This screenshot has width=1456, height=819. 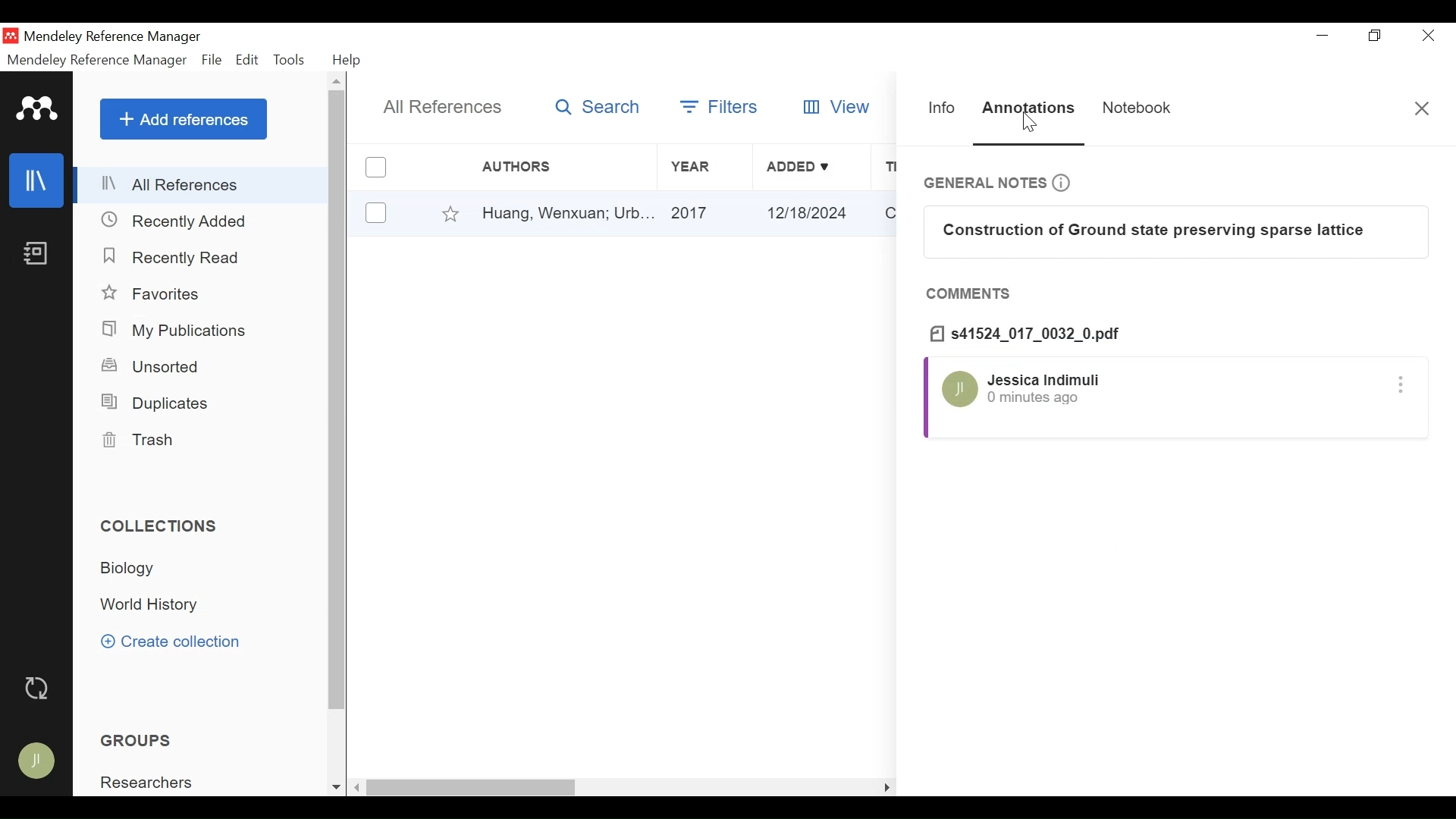 What do you see at coordinates (115, 37) in the screenshot?
I see `Mendeley Reference Manager` at bounding box center [115, 37].